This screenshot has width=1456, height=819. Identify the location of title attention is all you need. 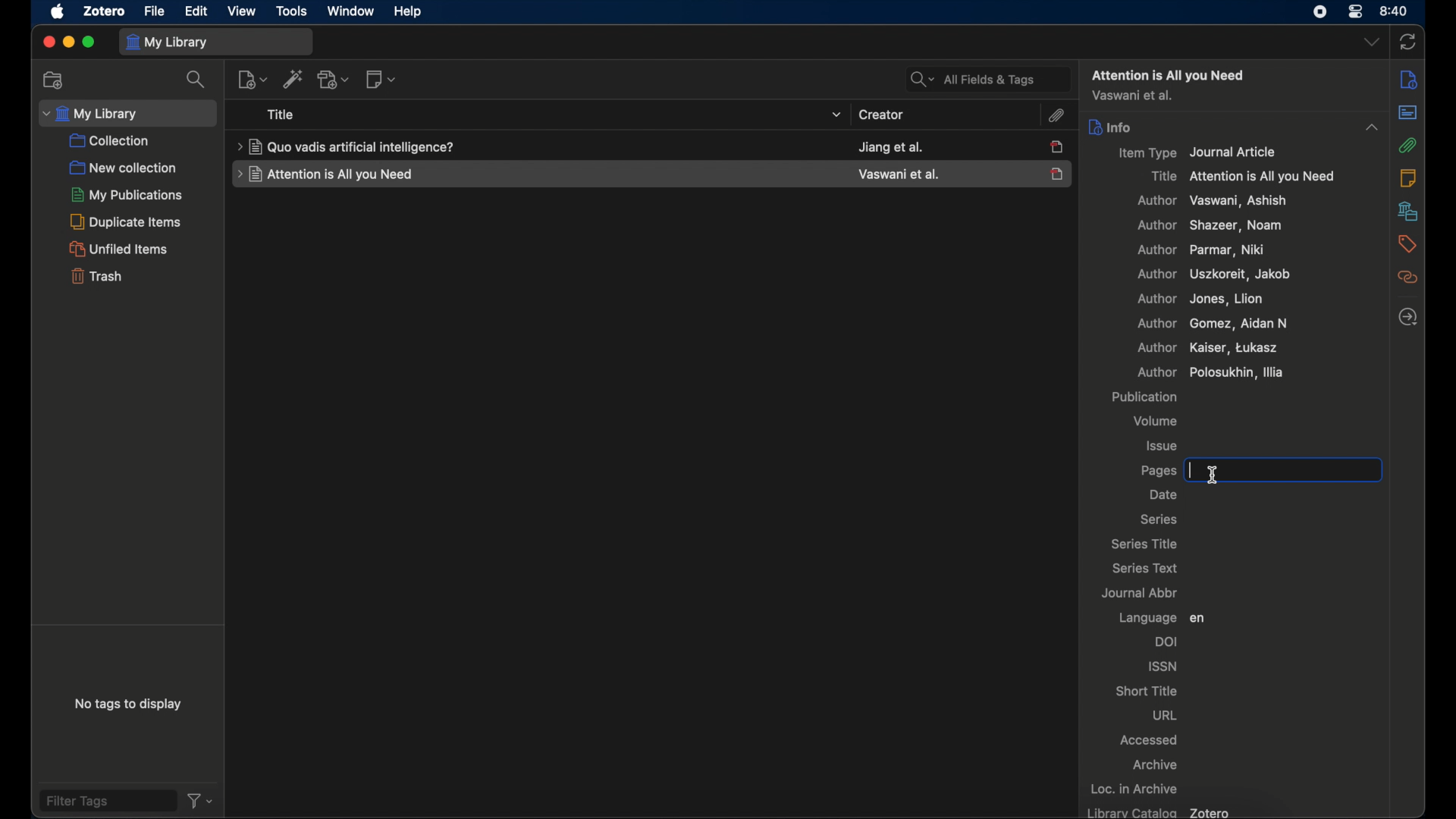
(1244, 177).